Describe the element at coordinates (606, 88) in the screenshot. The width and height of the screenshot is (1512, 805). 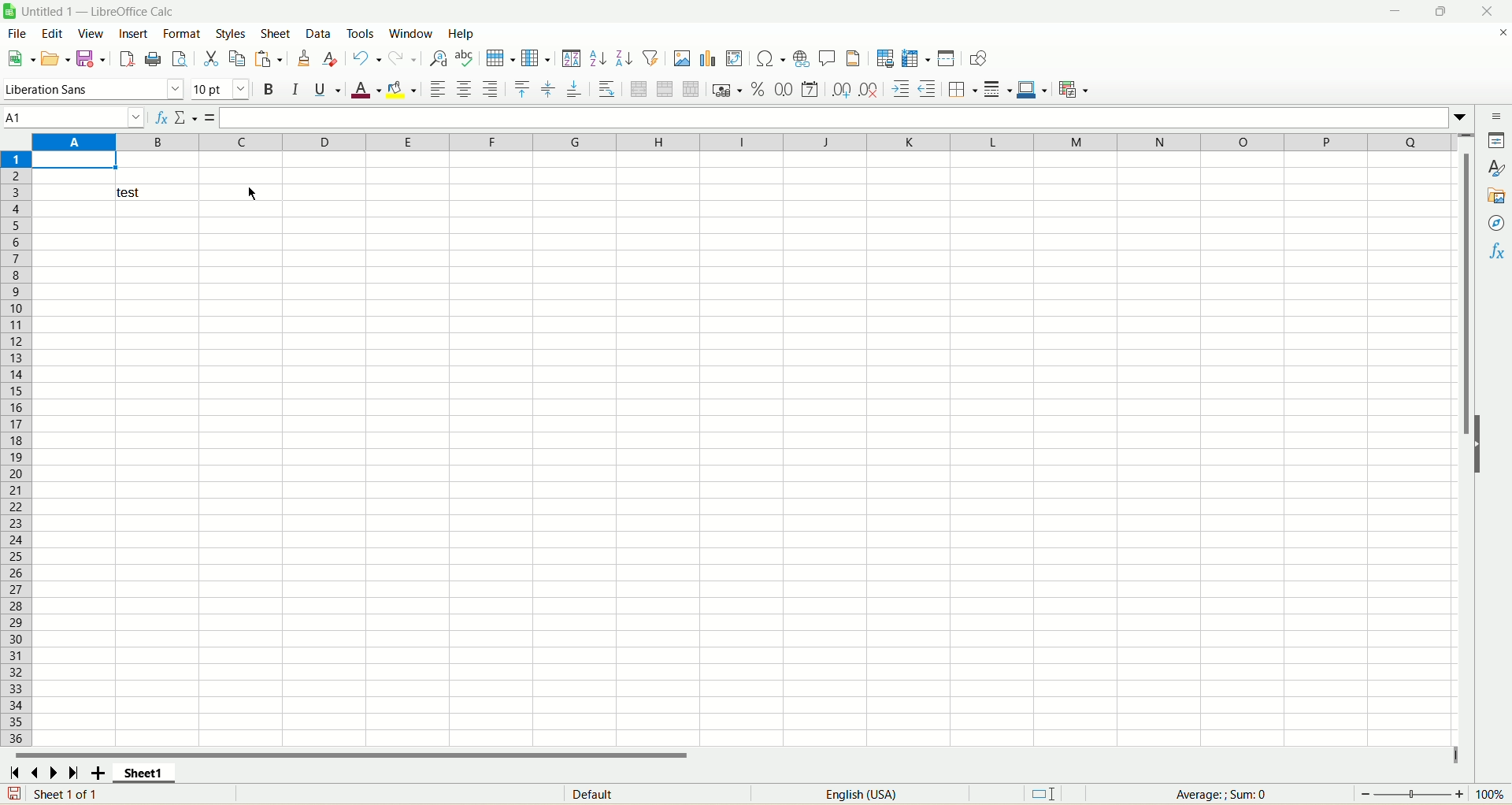
I see `wrap text` at that location.